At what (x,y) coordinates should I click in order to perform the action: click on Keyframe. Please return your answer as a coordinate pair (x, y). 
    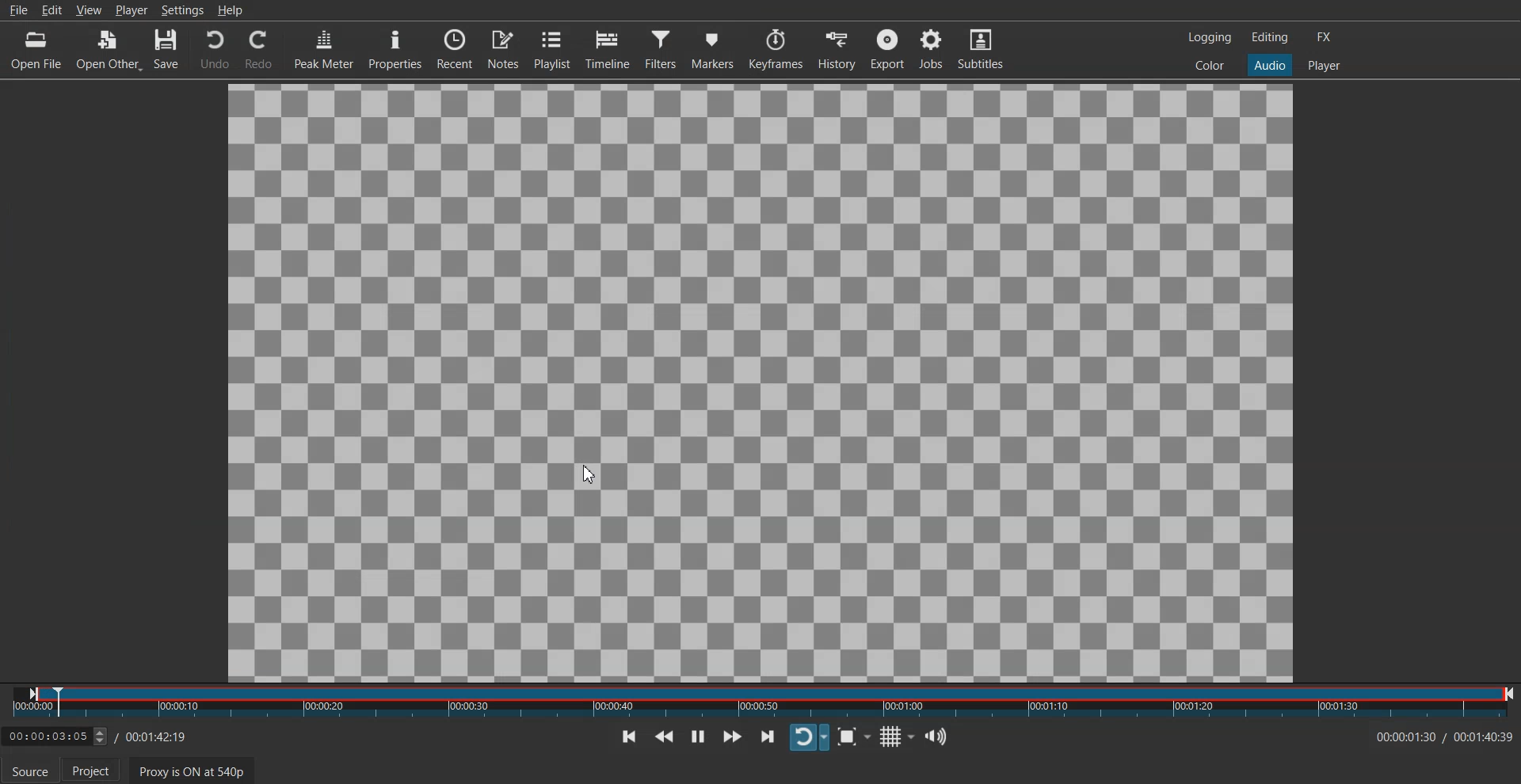
    Looking at the image, I should click on (776, 49).